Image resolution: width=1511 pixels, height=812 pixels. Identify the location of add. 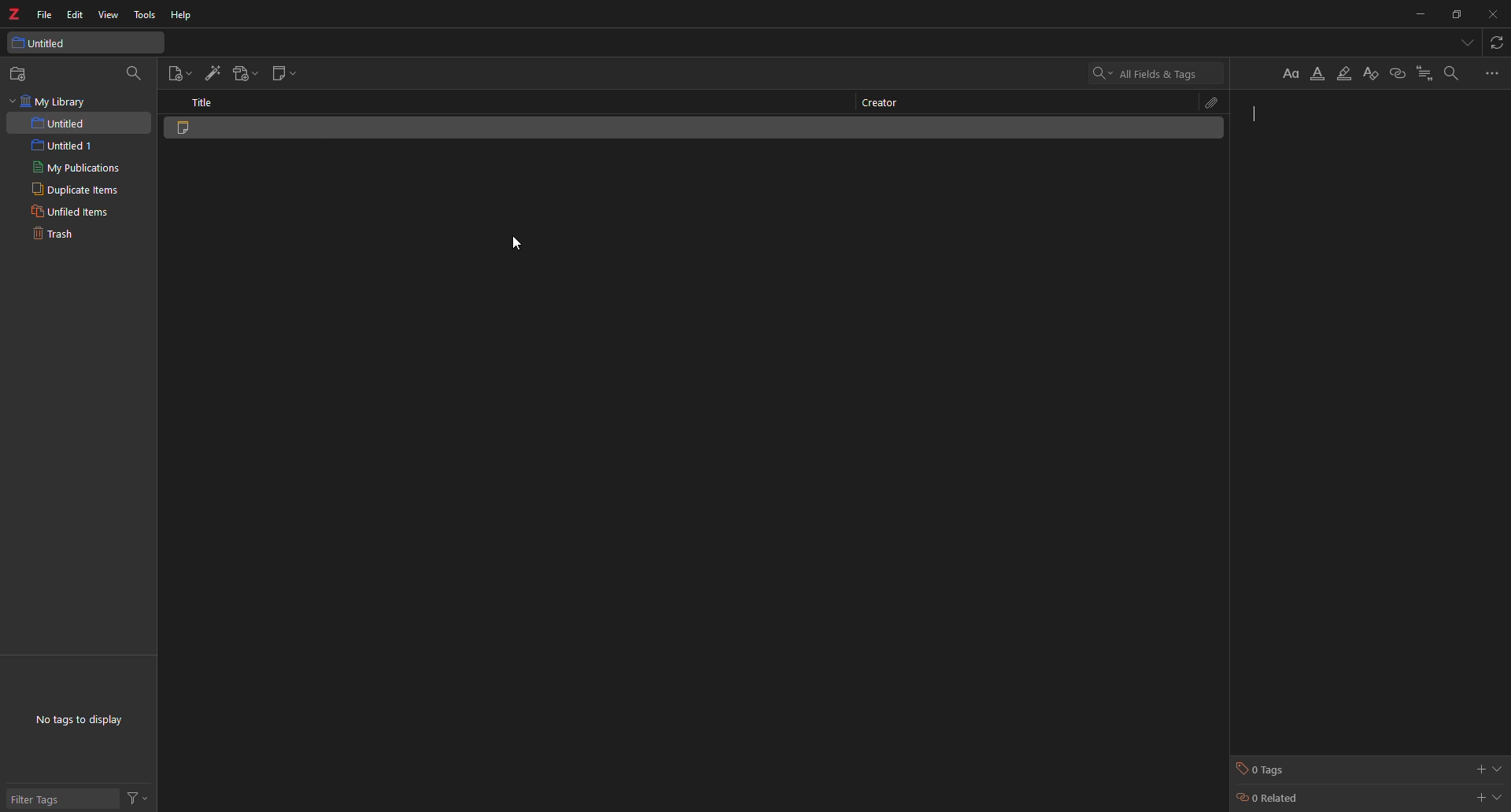
(1477, 797).